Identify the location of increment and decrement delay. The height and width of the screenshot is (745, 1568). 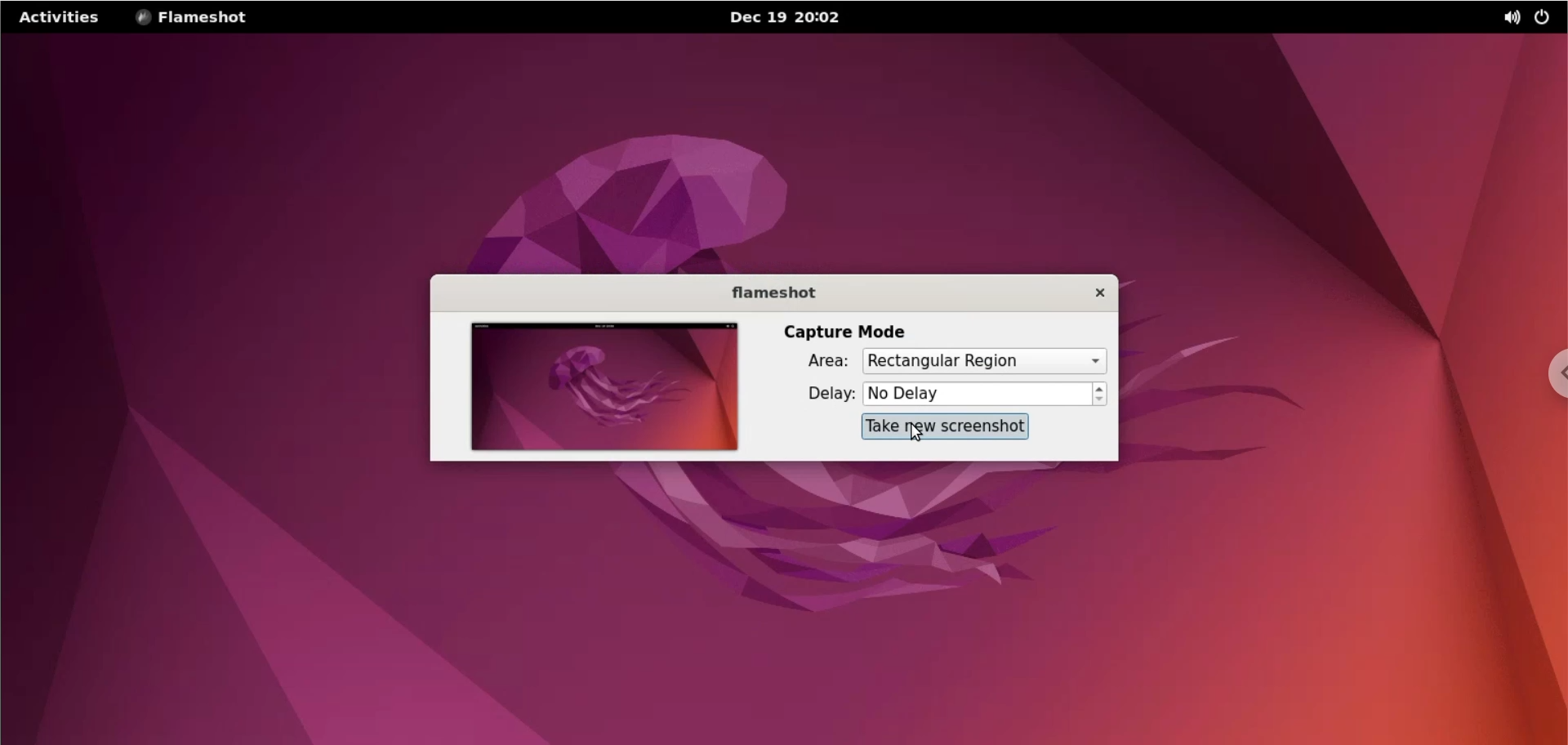
(1099, 395).